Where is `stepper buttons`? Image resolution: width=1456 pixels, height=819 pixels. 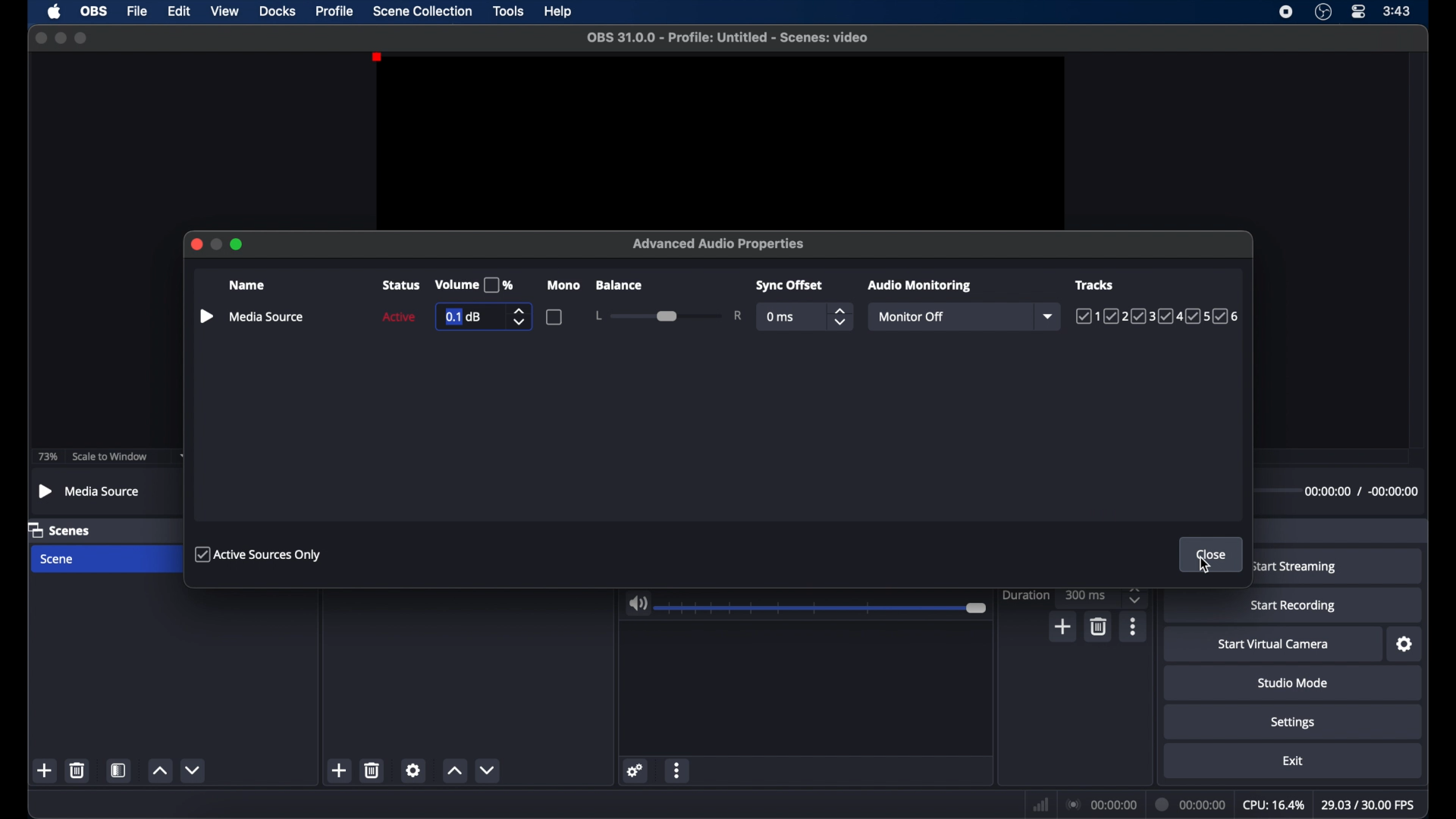
stepper buttons is located at coordinates (522, 317).